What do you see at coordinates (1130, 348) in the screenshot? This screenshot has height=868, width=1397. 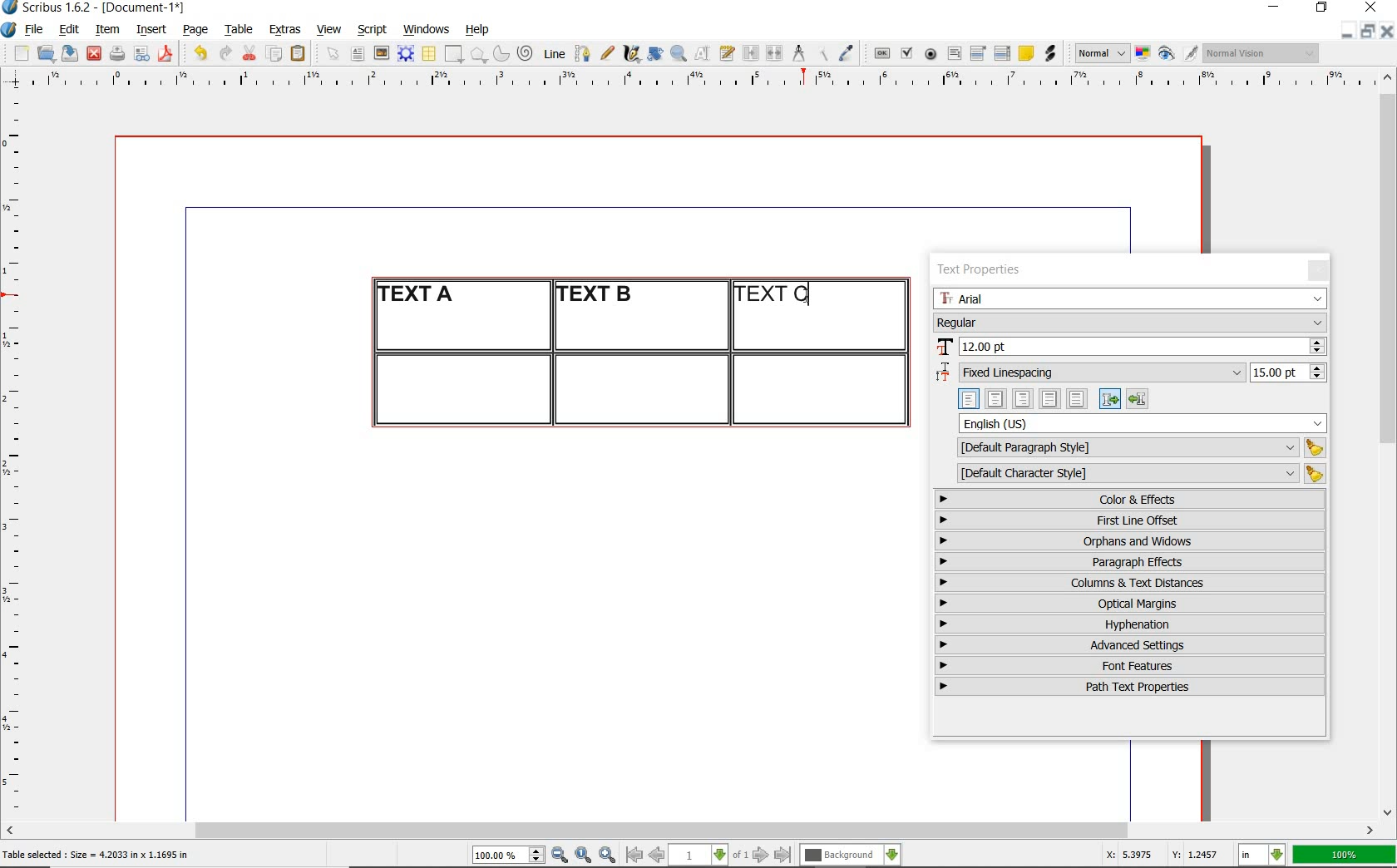 I see `font size` at bounding box center [1130, 348].